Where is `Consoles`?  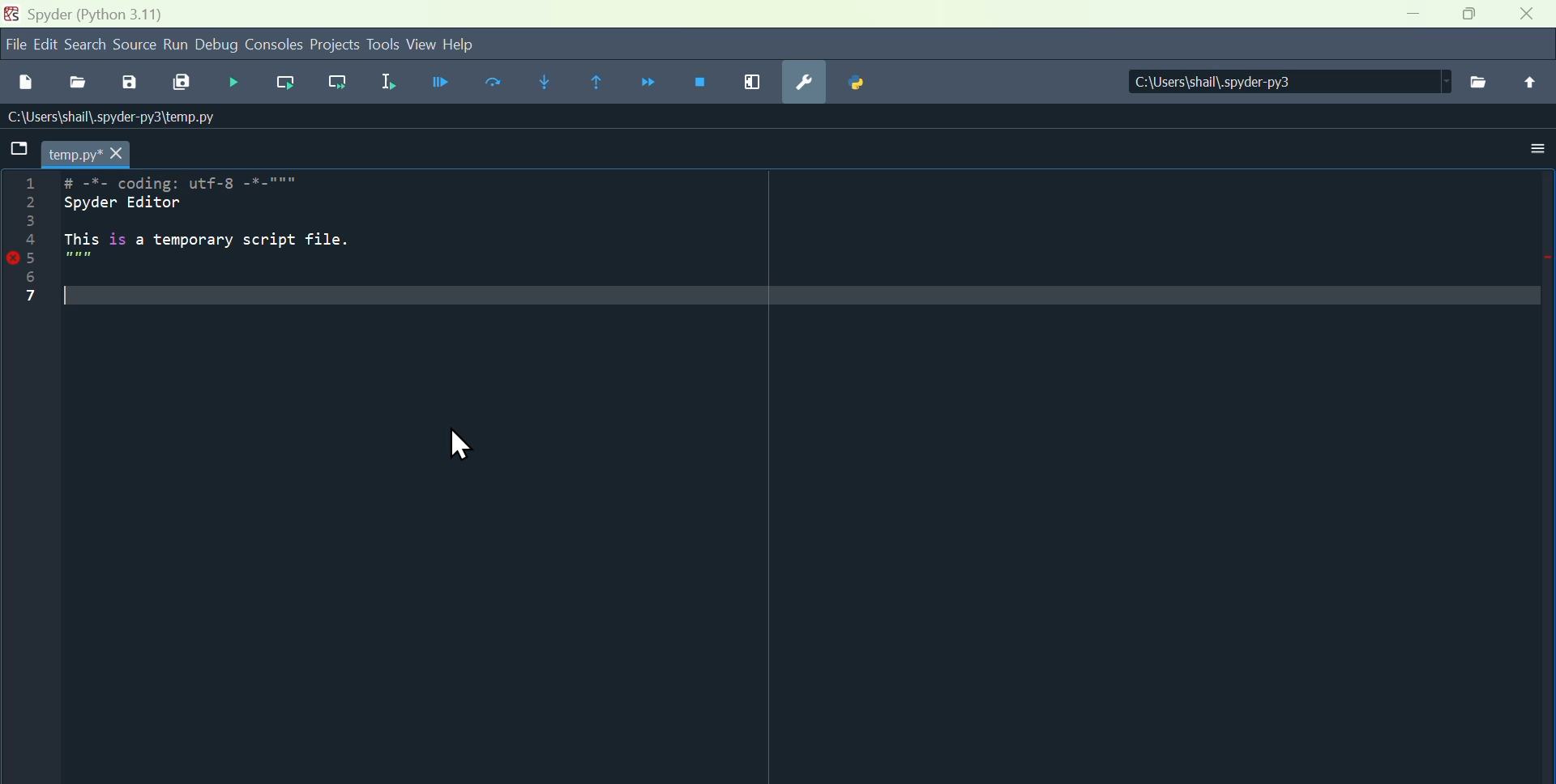 Consoles is located at coordinates (275, 43).